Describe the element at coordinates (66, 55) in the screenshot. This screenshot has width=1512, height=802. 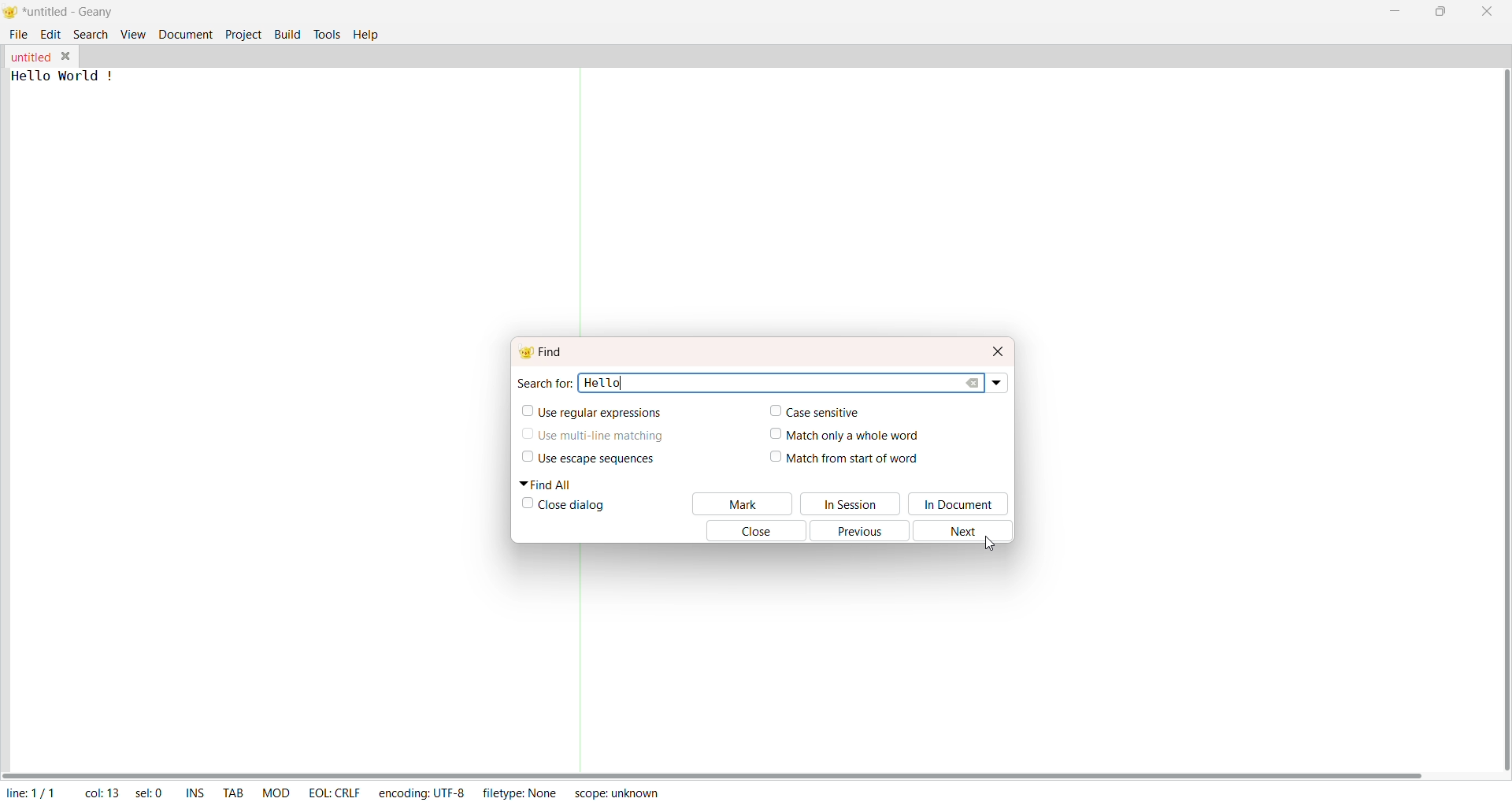
I see `Close File` at that location.